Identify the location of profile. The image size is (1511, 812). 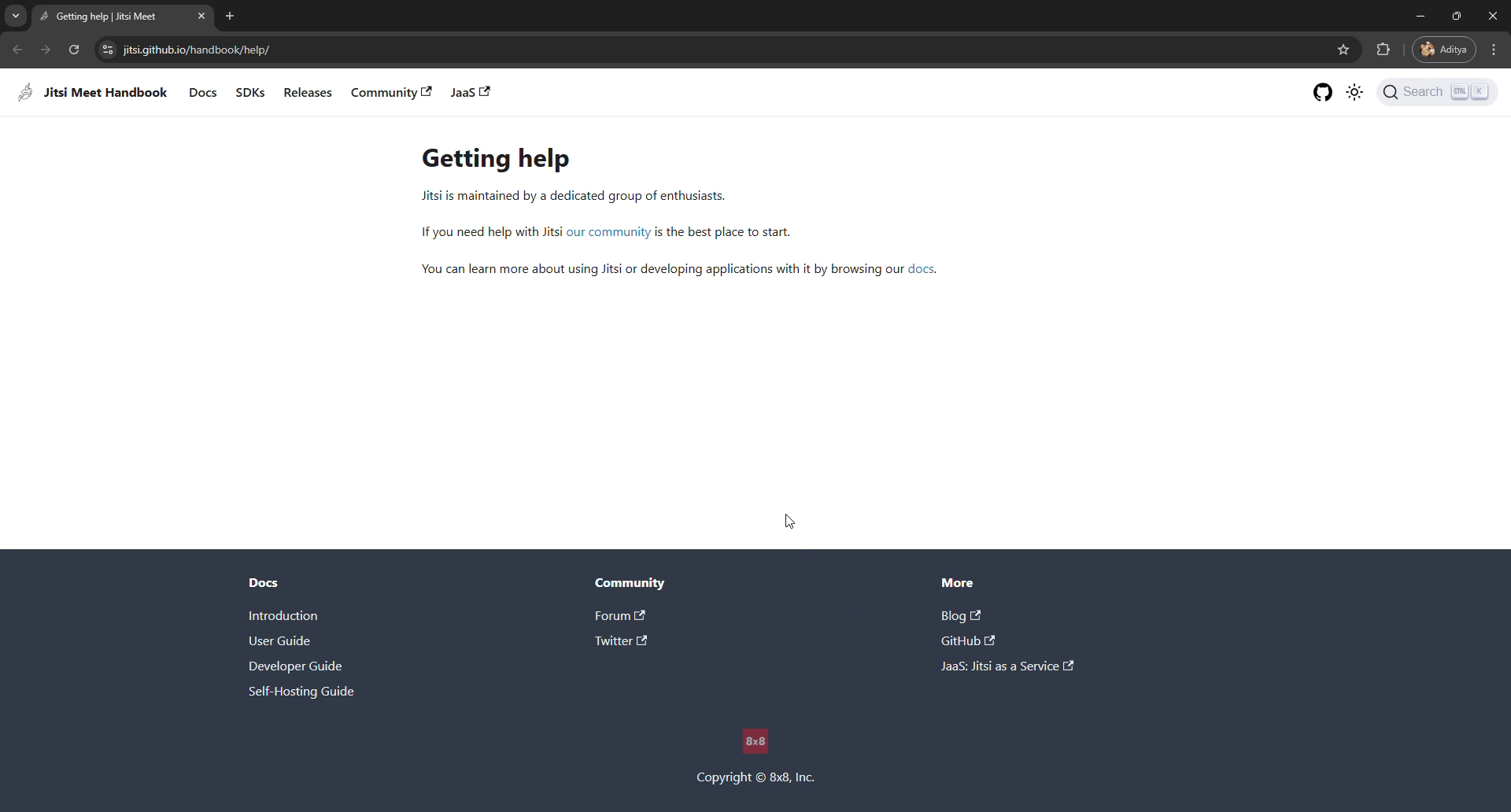
(1443, 50).